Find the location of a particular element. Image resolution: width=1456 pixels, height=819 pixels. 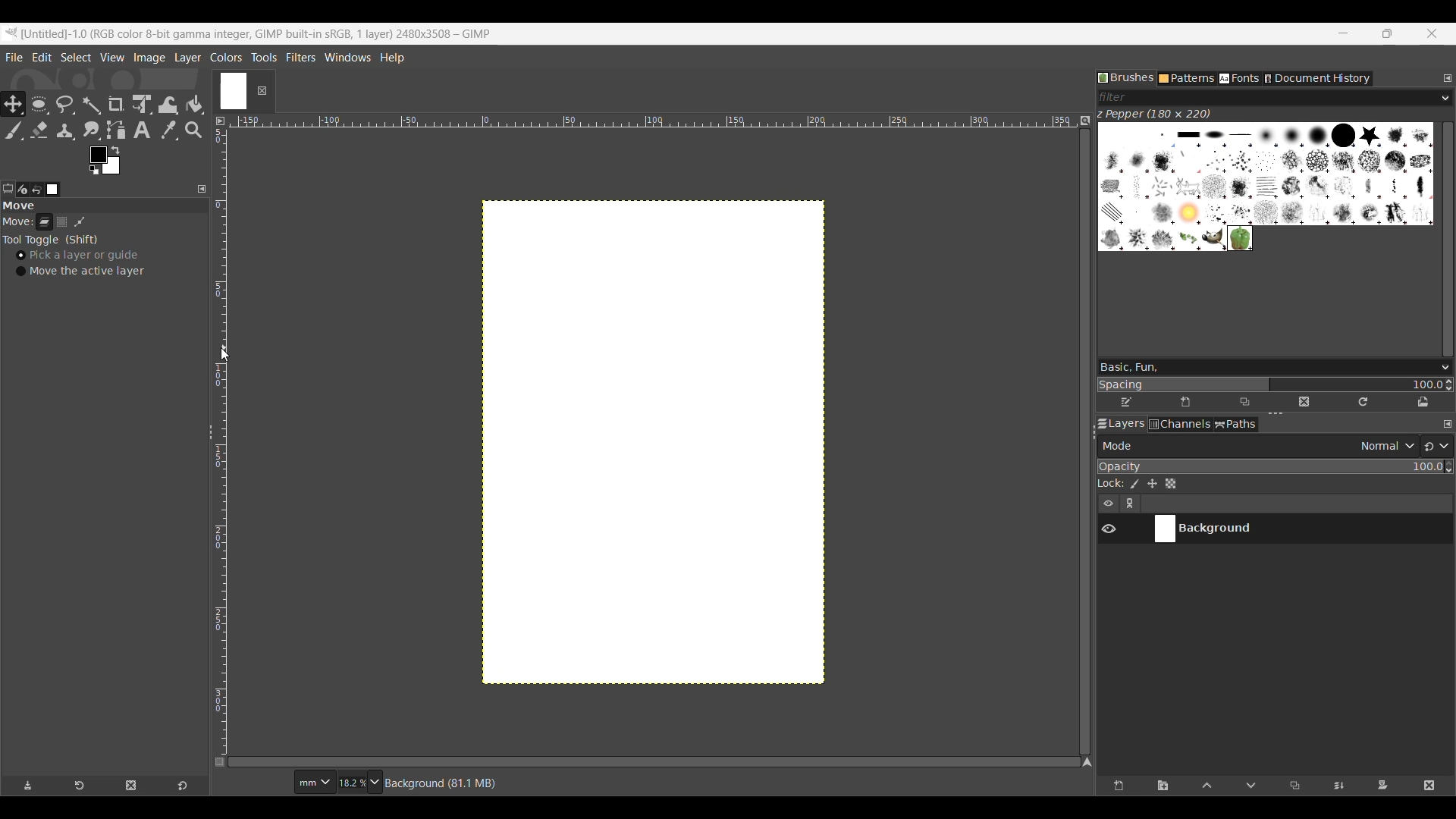

Current layer is located at coordinates (1286, 529).